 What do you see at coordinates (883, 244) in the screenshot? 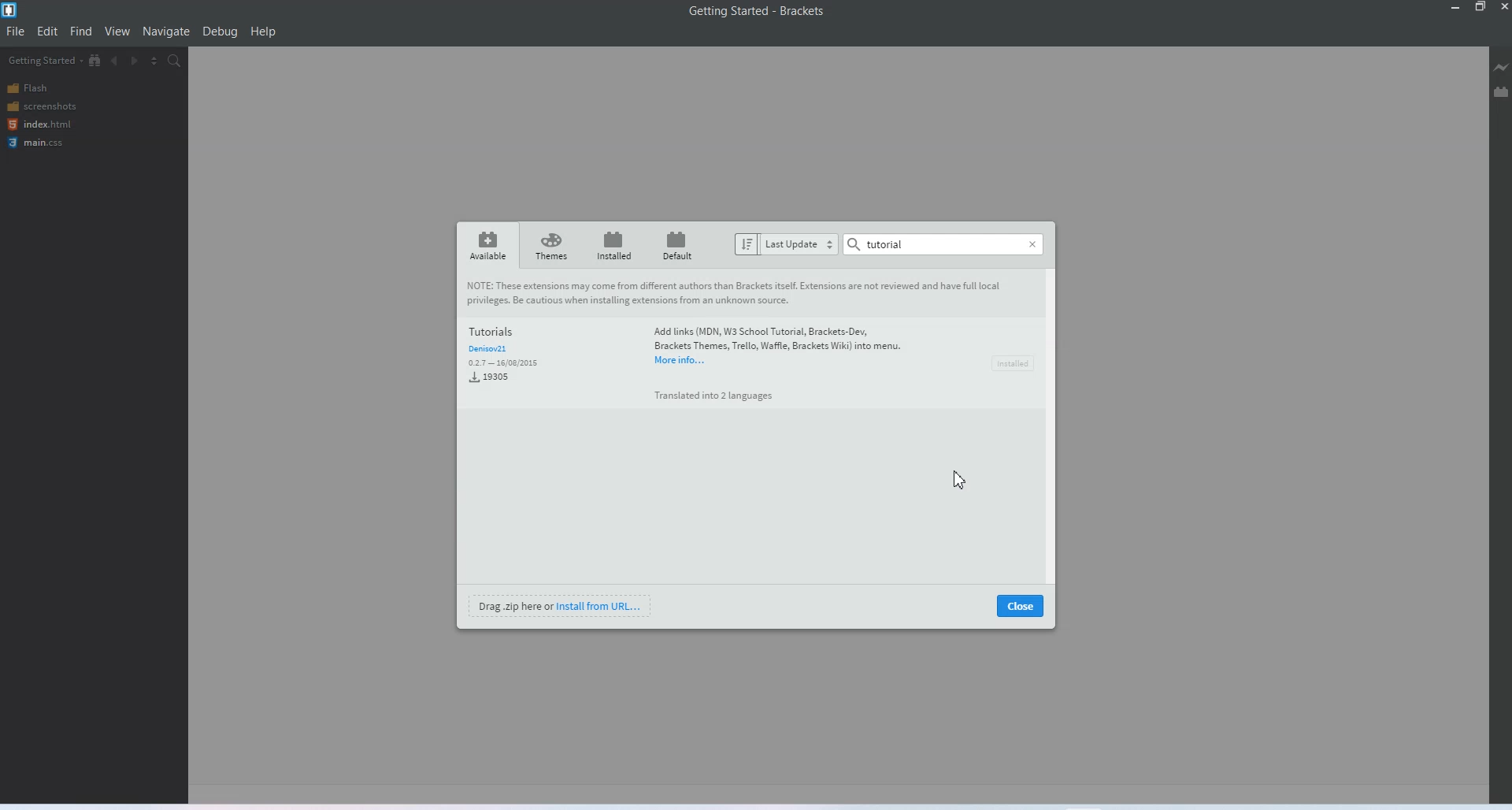
I see `Tutorial` at bounding box center [883, 244].